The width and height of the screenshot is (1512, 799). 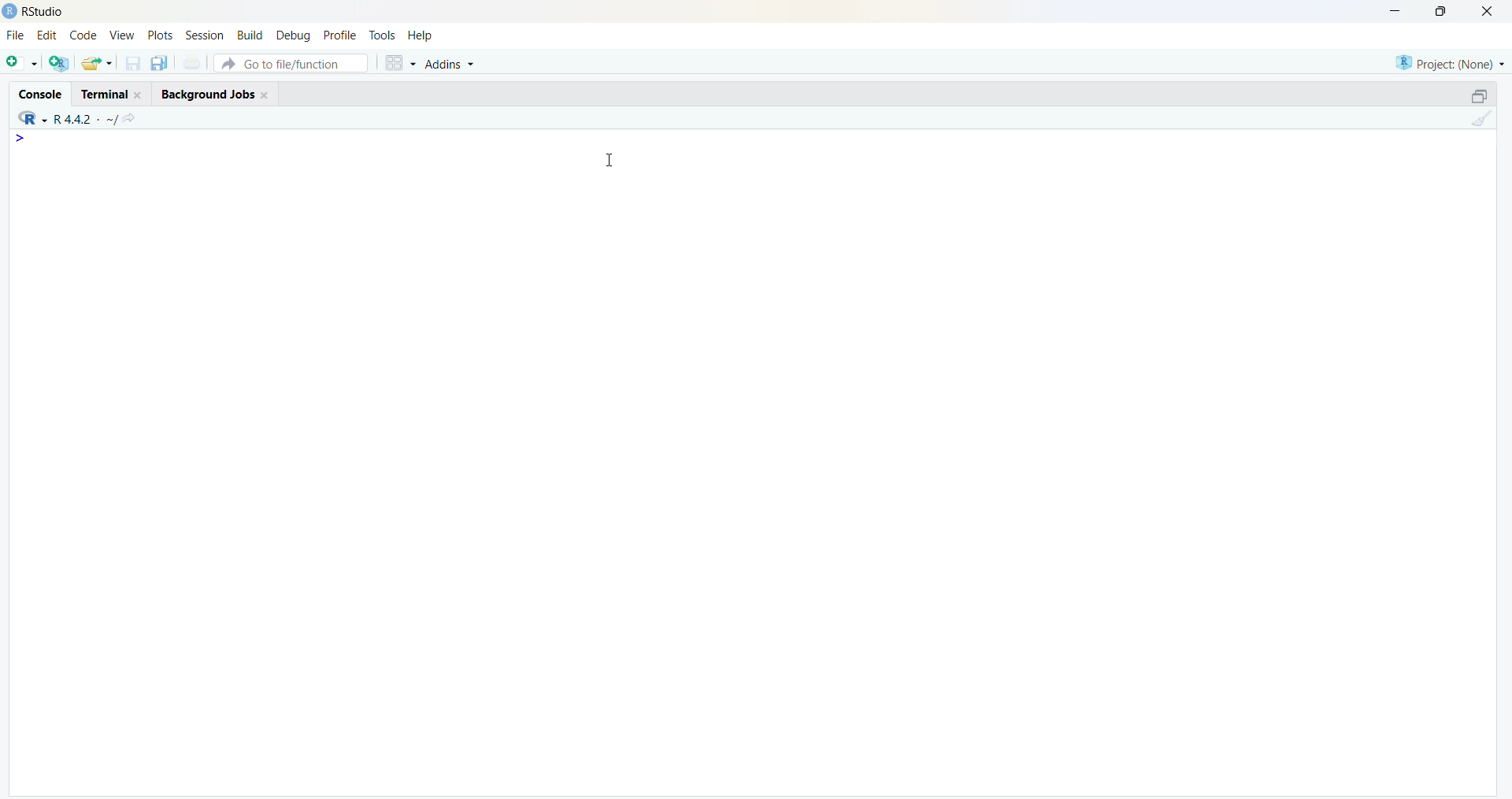 I want to click on Close , so click(x=139, y=95).